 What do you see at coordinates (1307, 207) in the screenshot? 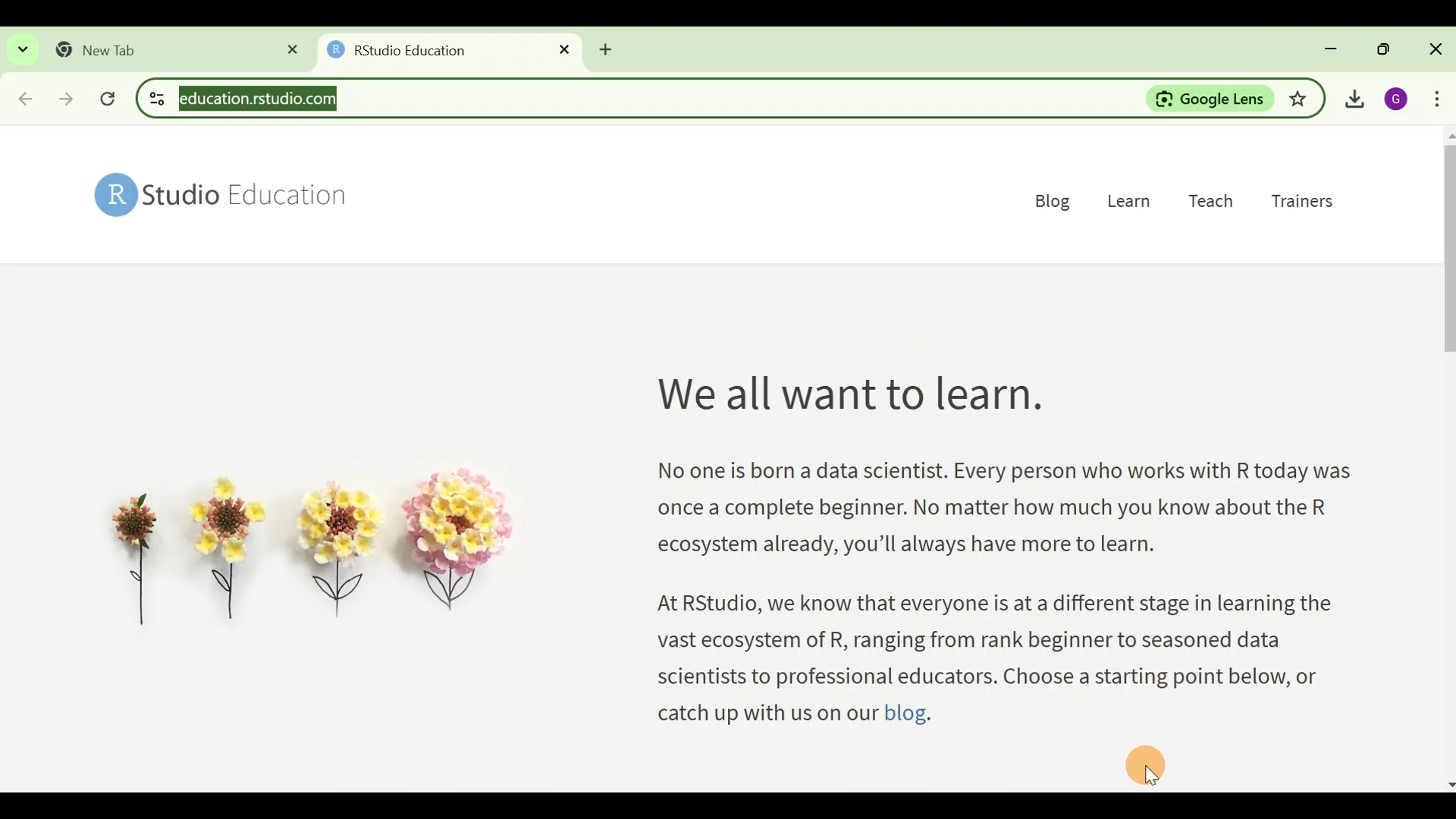
I see `Trainers` at bounding box center [1307, 207].